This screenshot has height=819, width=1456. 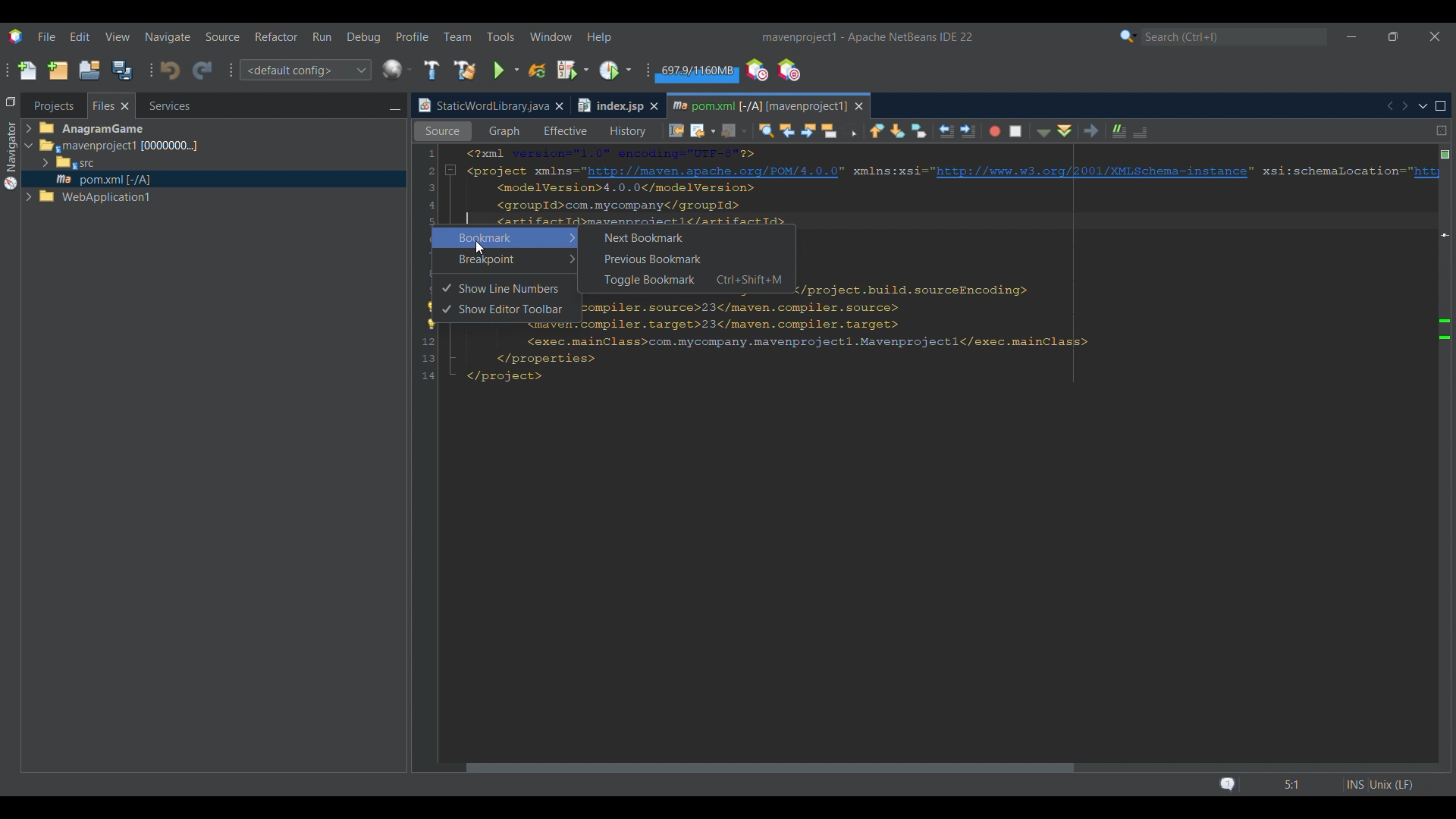 I want to click on Undo, so click(x=170, y=71).